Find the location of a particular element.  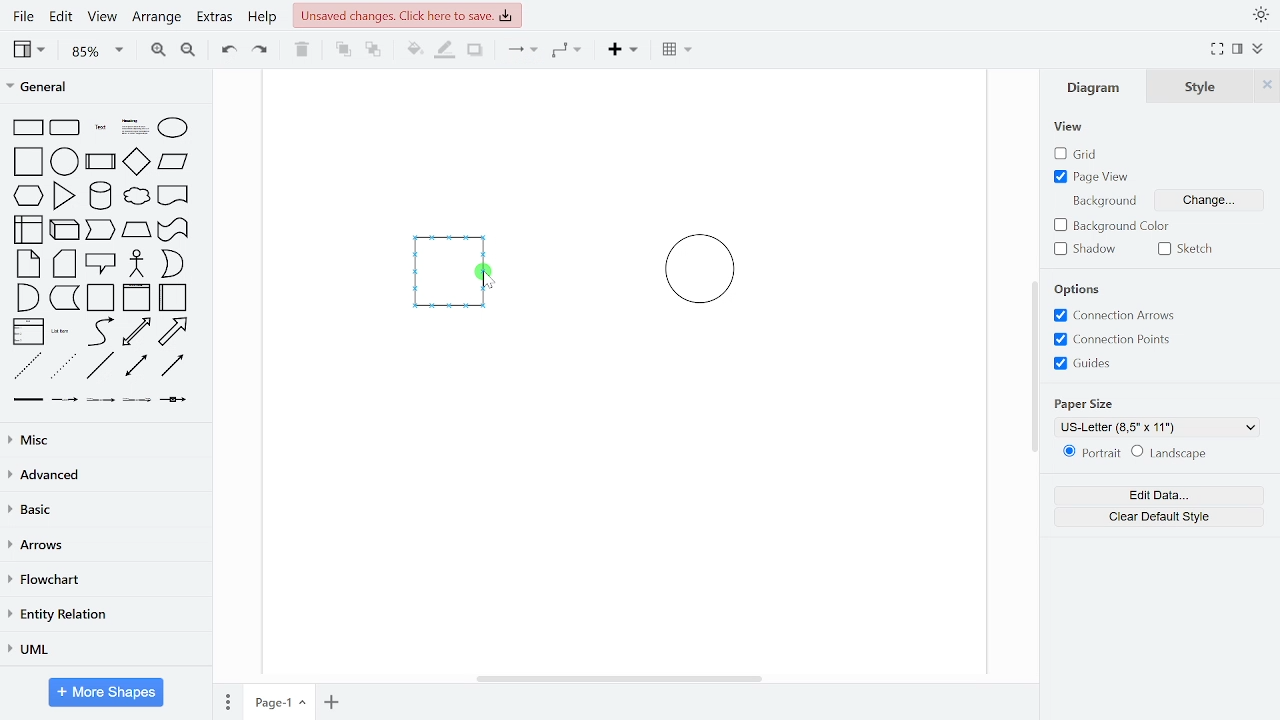

square is located at coordinates (30, 163).